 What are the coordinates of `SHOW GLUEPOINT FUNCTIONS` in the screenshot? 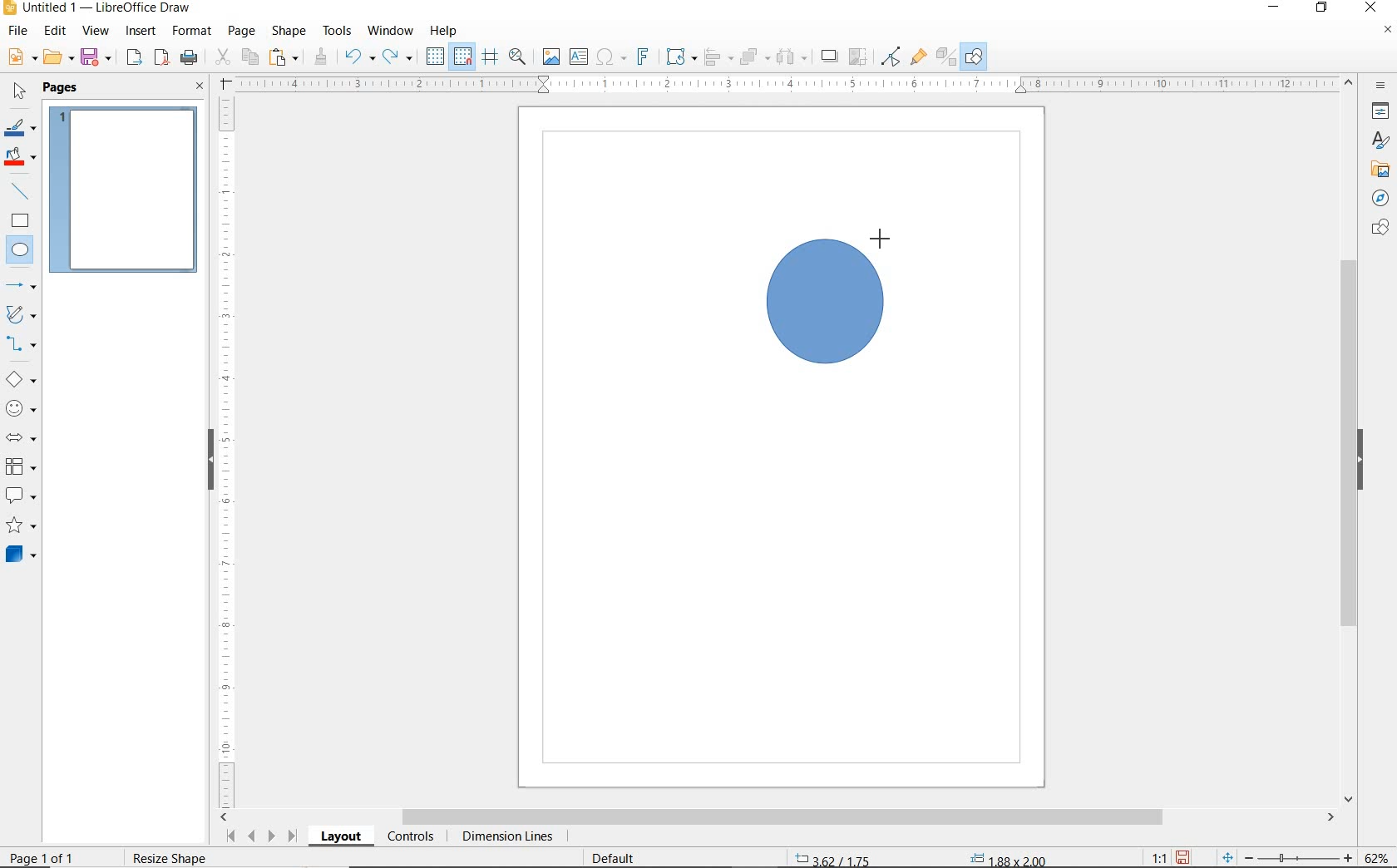 It's located at (918, 57).